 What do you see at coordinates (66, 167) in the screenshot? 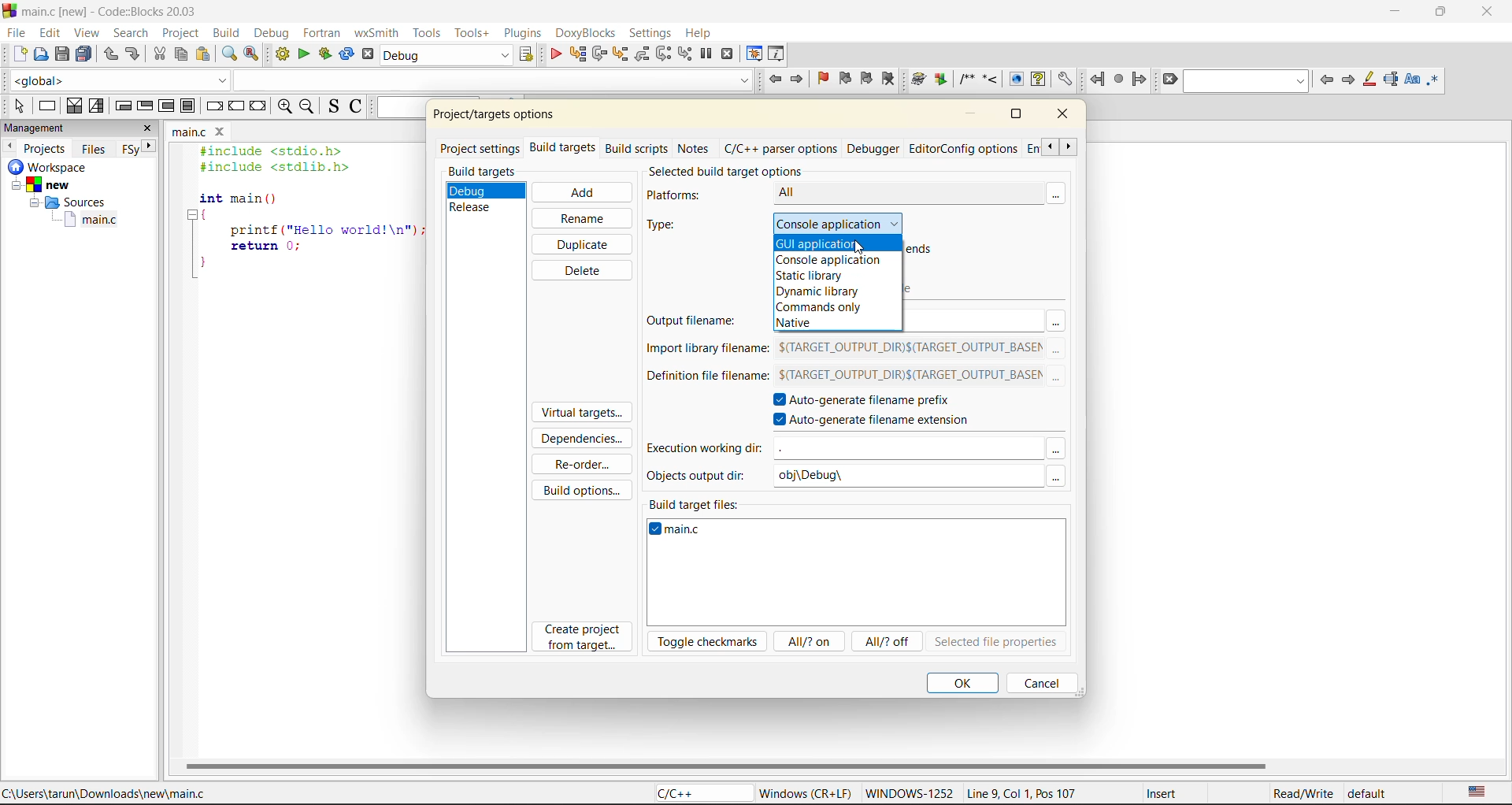
I see `workspace` at bounding box center [66, 167].